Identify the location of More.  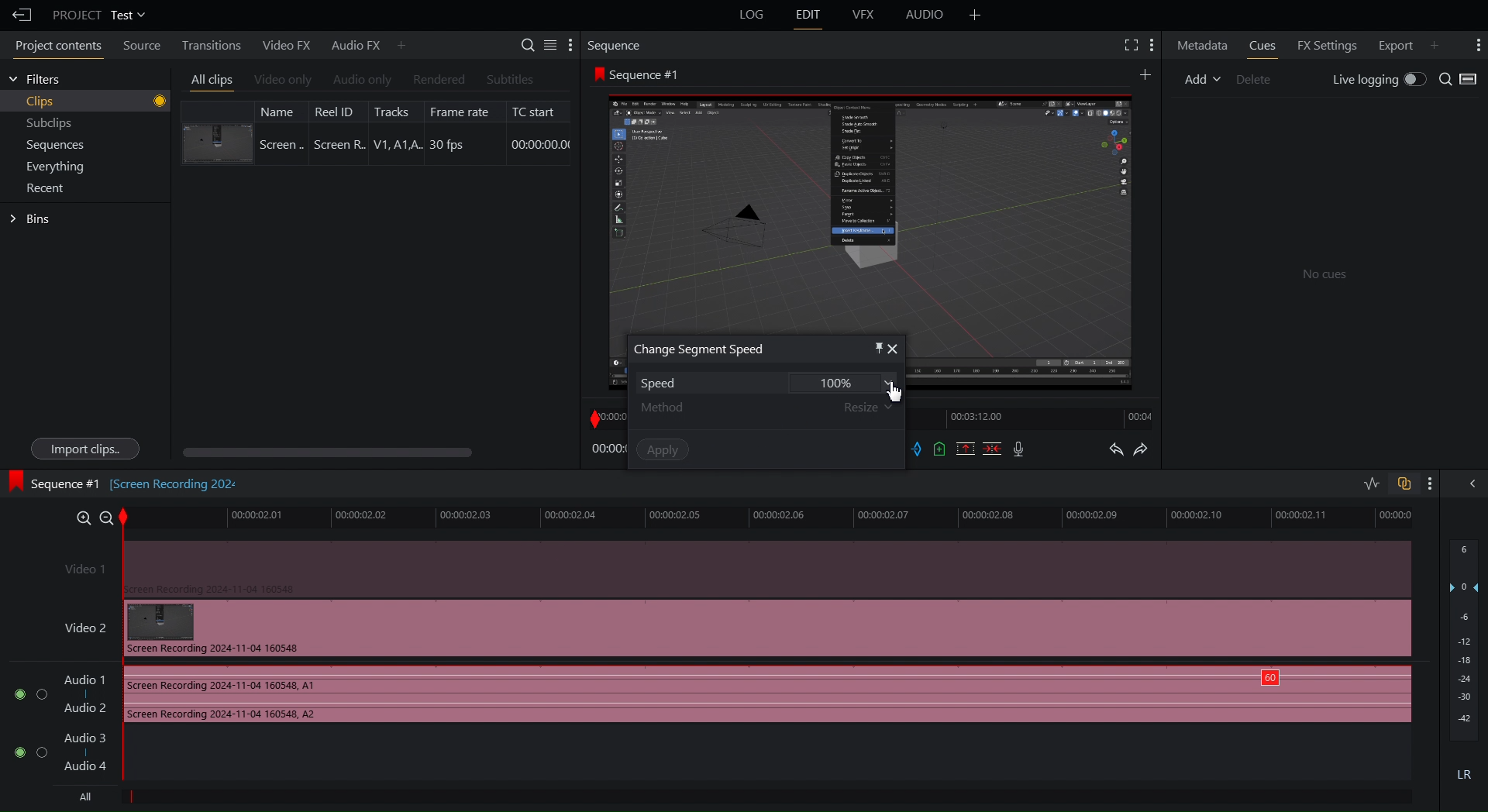
(1441, 43).